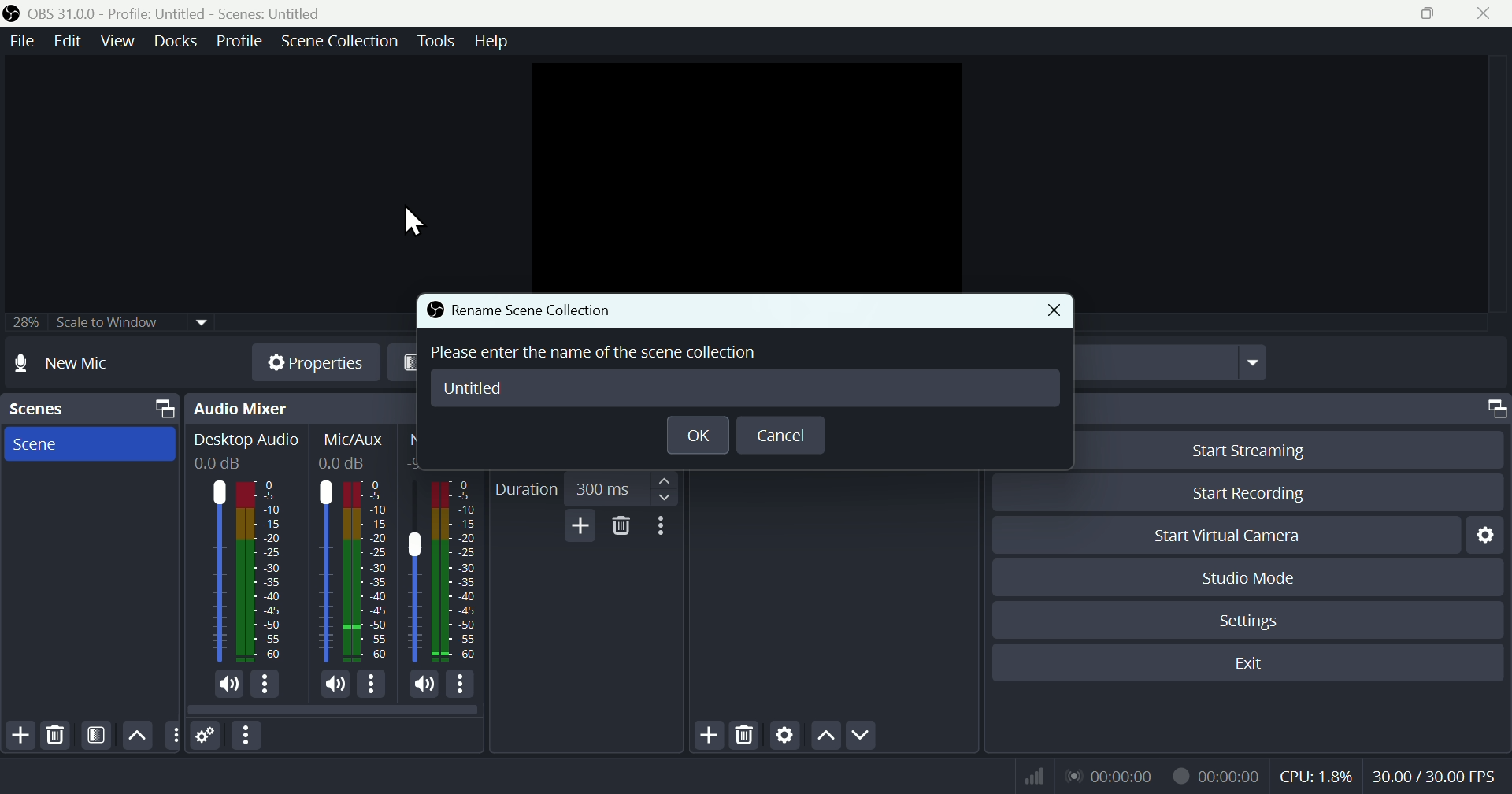  What do you see at coordinates (865, 733) in the screenshot?
I see `Down` at bounding box center [865, 733].